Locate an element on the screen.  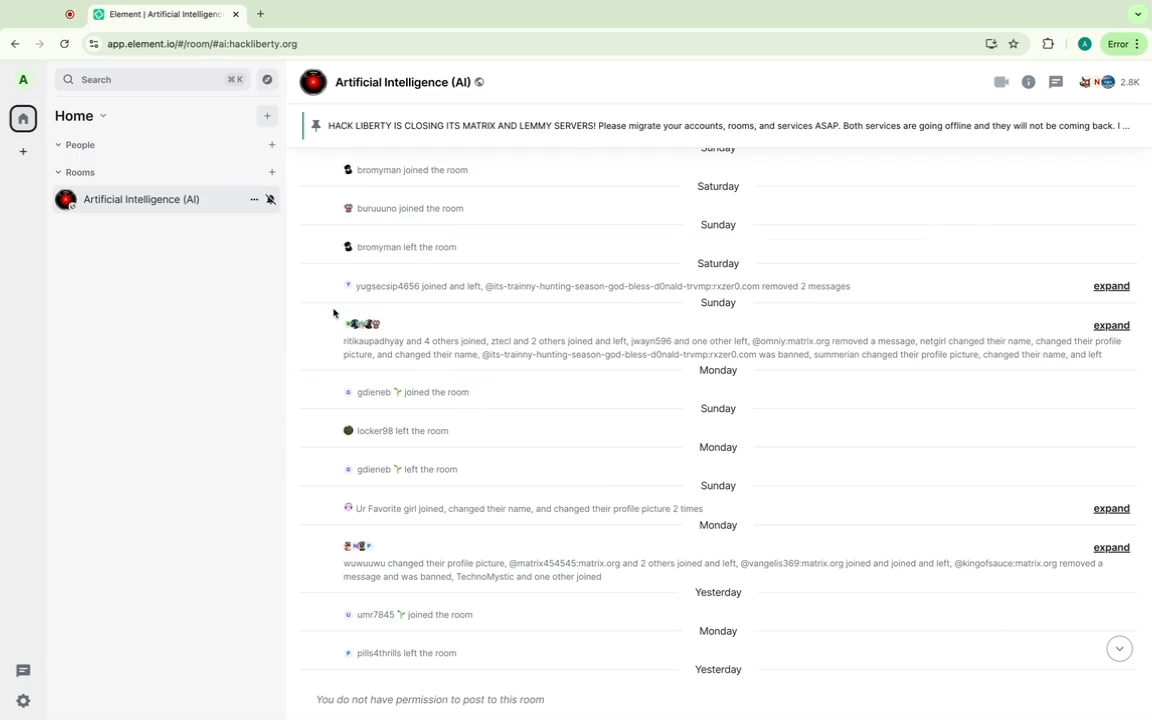
Day is located at coordinates (717, 484).